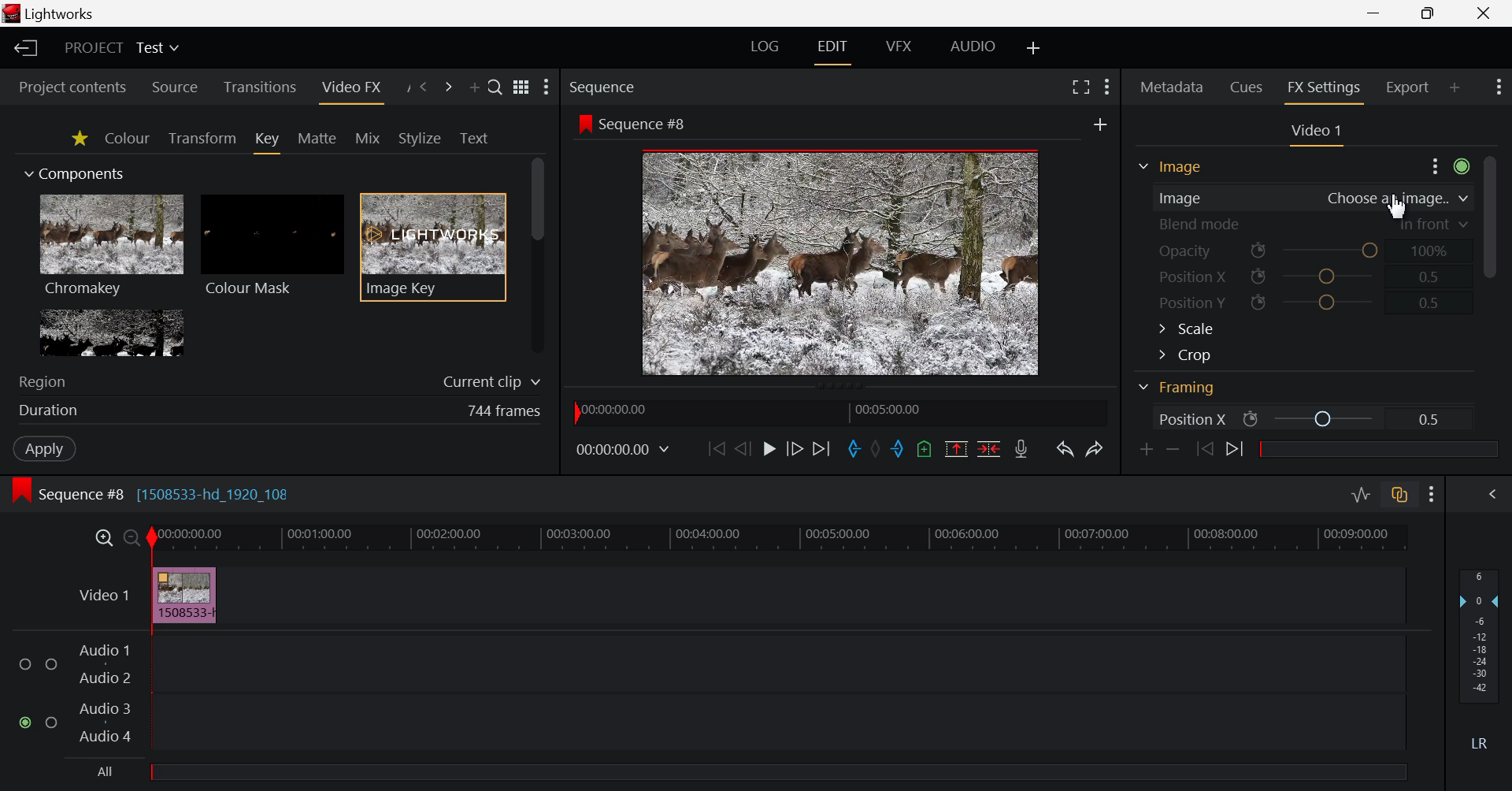  Describe the element at coordinates (1235, 452) in the screenshot. I see `Next keyframe` at that location.